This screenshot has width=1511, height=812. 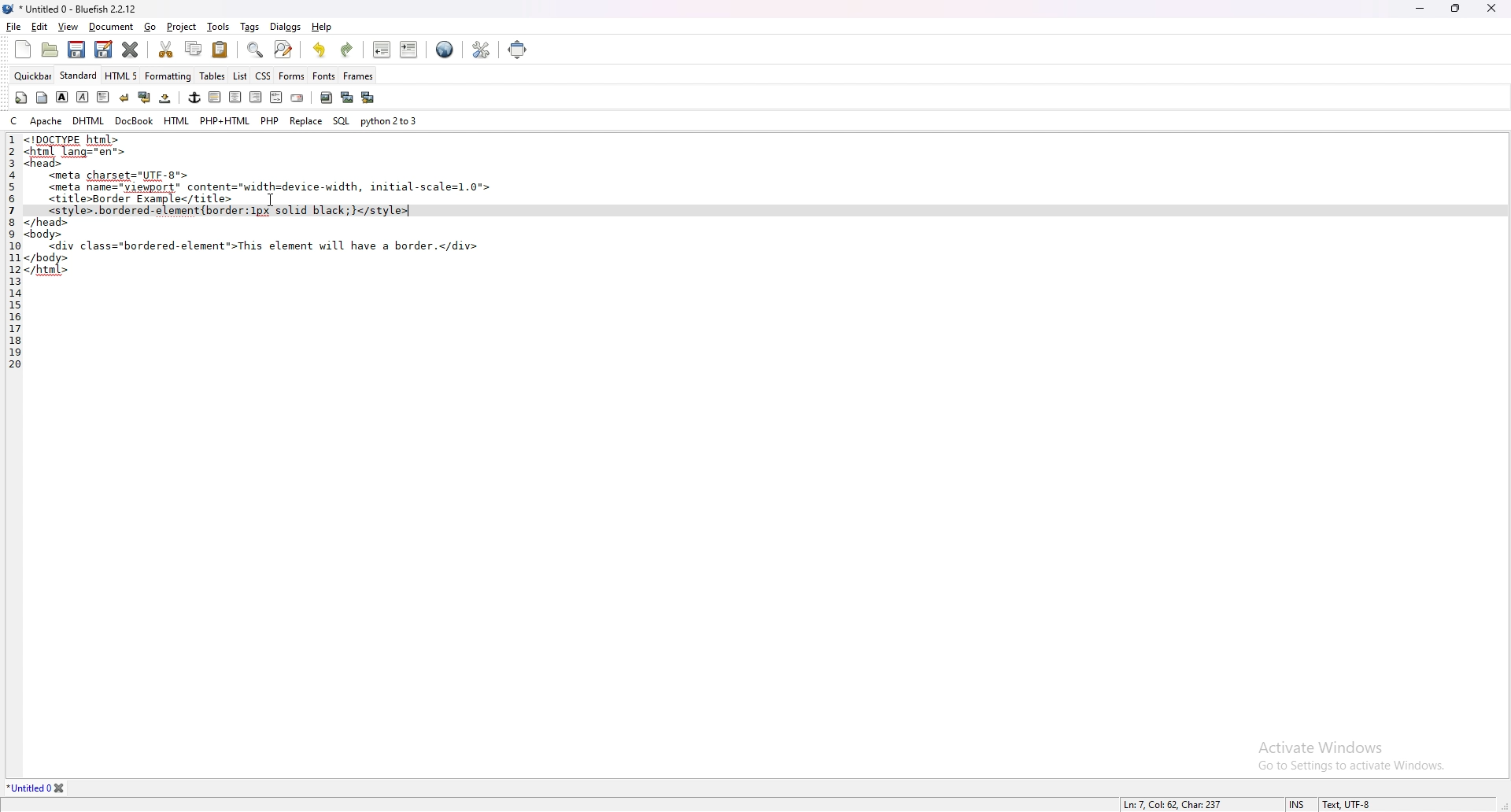 I want to click on tags, so click(x=251, y=28).